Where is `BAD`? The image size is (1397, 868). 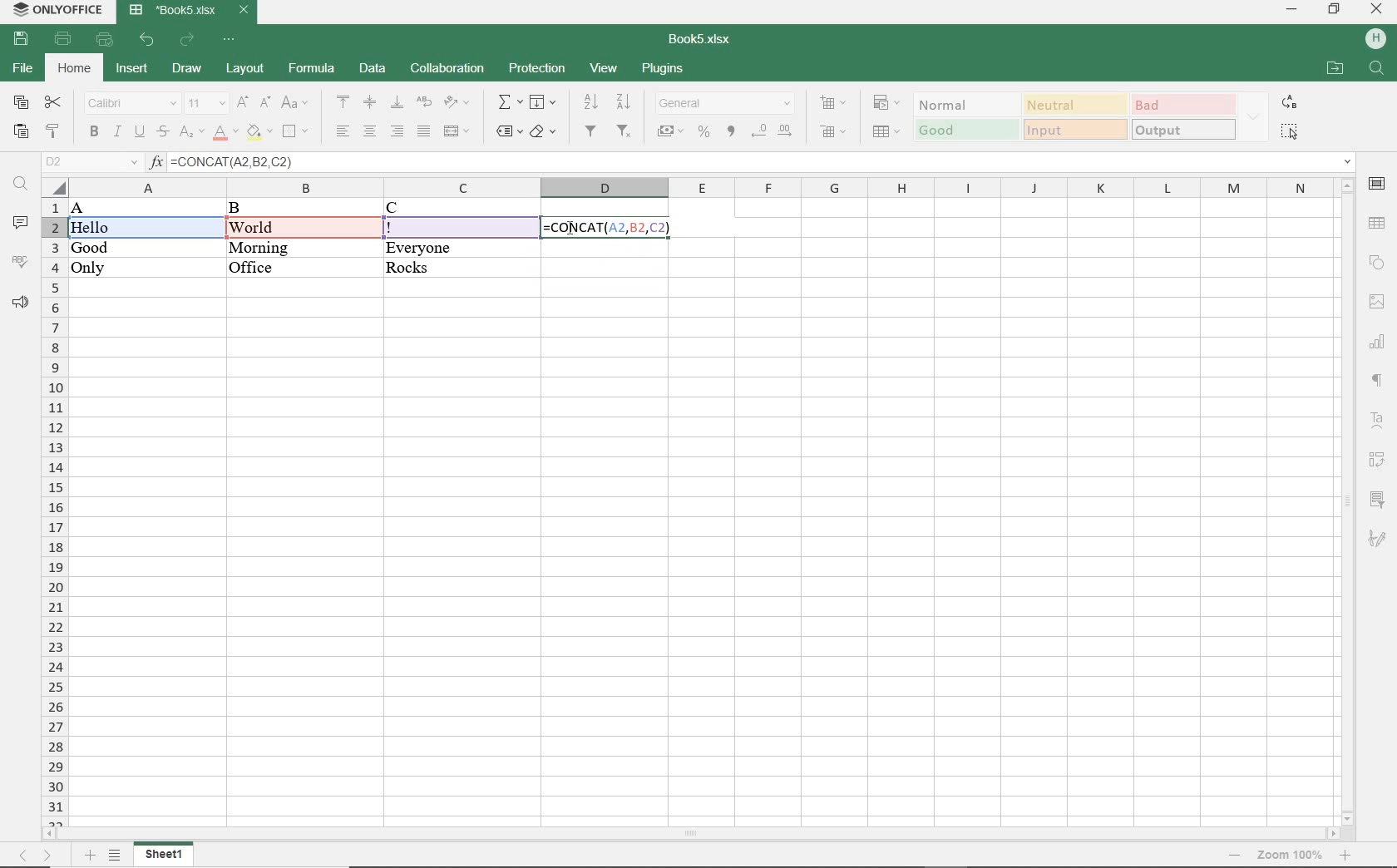
BAD is located at coordinates (1183, 106).